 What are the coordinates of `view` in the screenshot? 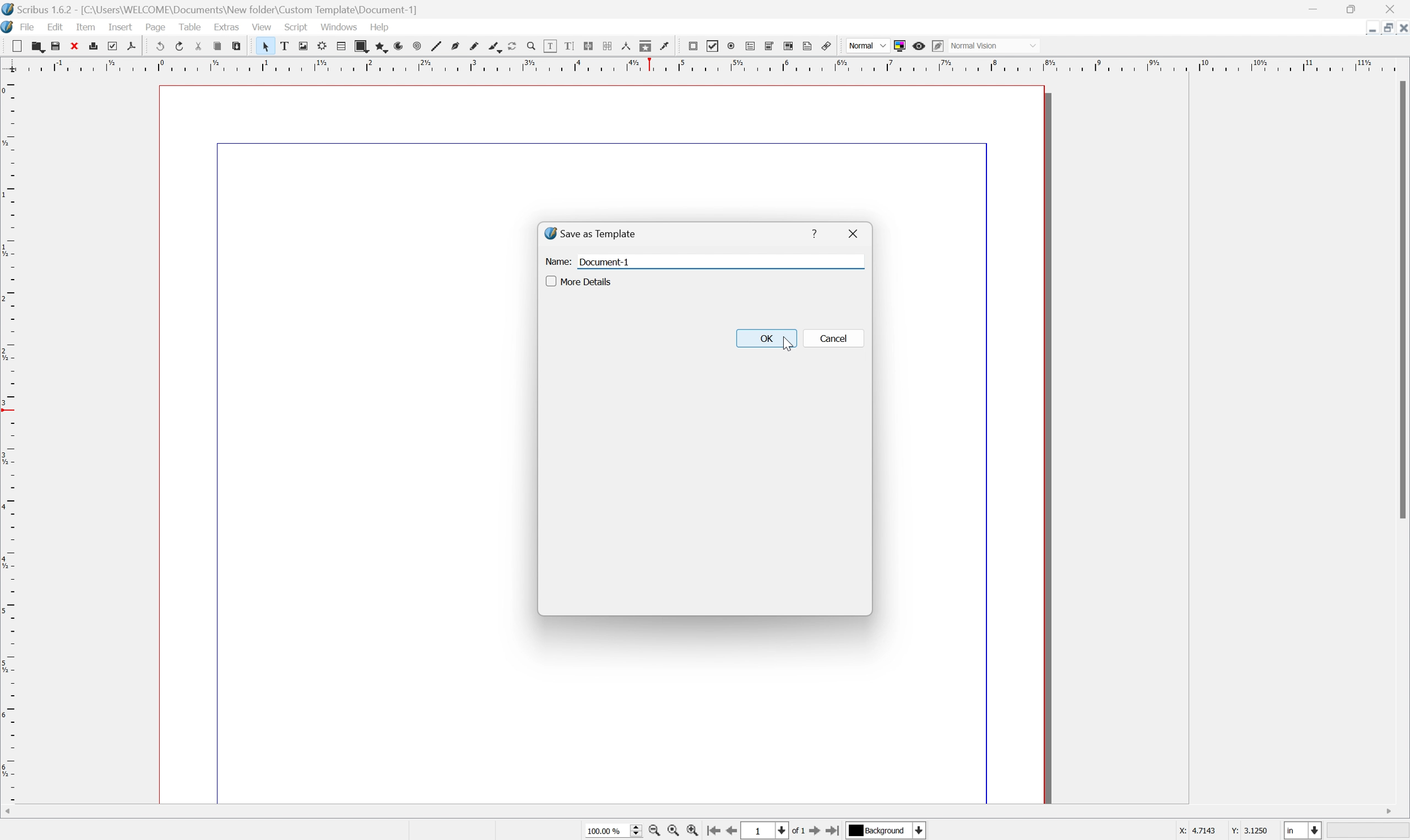 It's located at (264, 26).